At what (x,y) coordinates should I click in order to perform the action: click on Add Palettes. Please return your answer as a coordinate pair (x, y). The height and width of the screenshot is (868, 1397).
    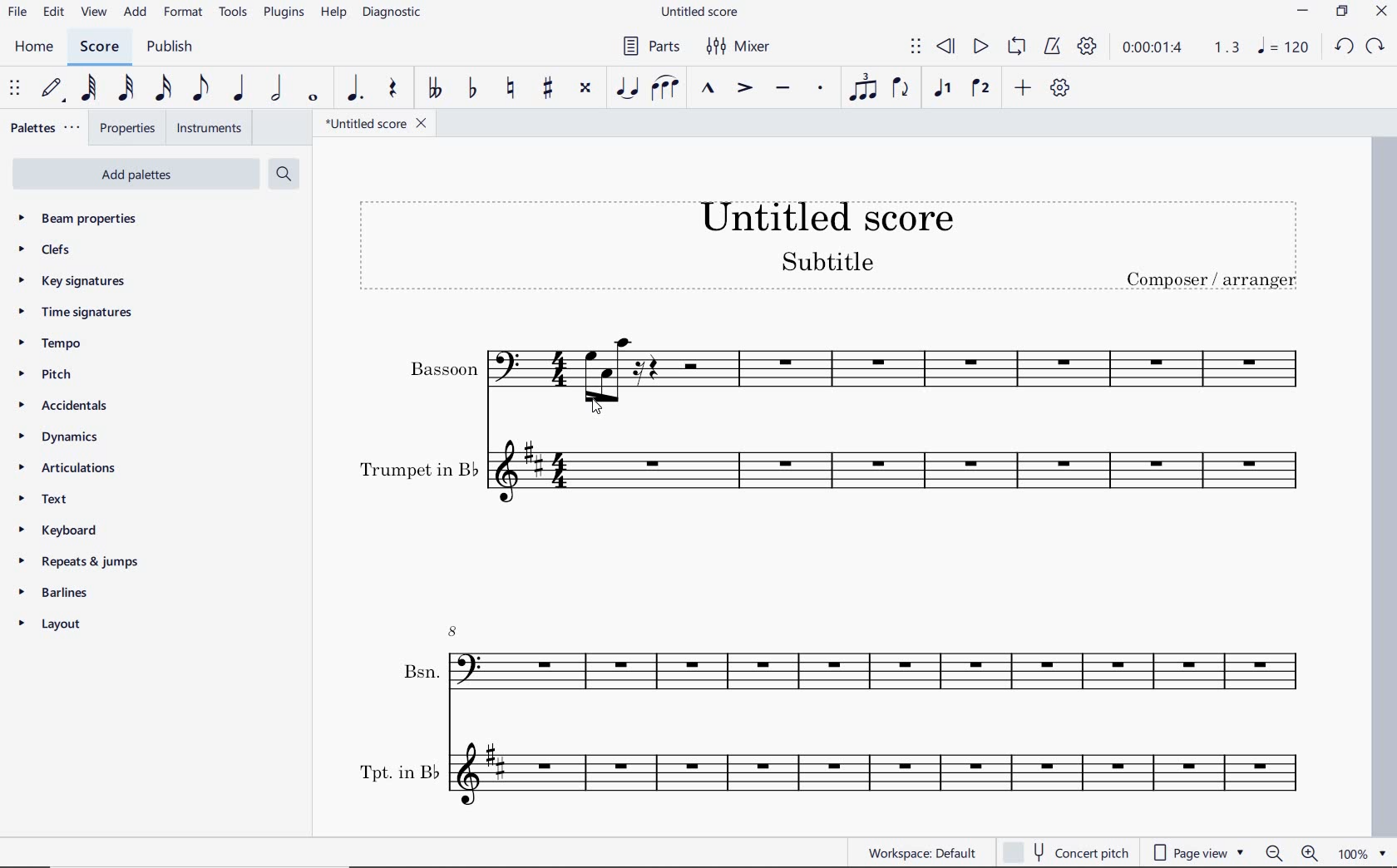
    Looking at the image, I should click on (136, 172).